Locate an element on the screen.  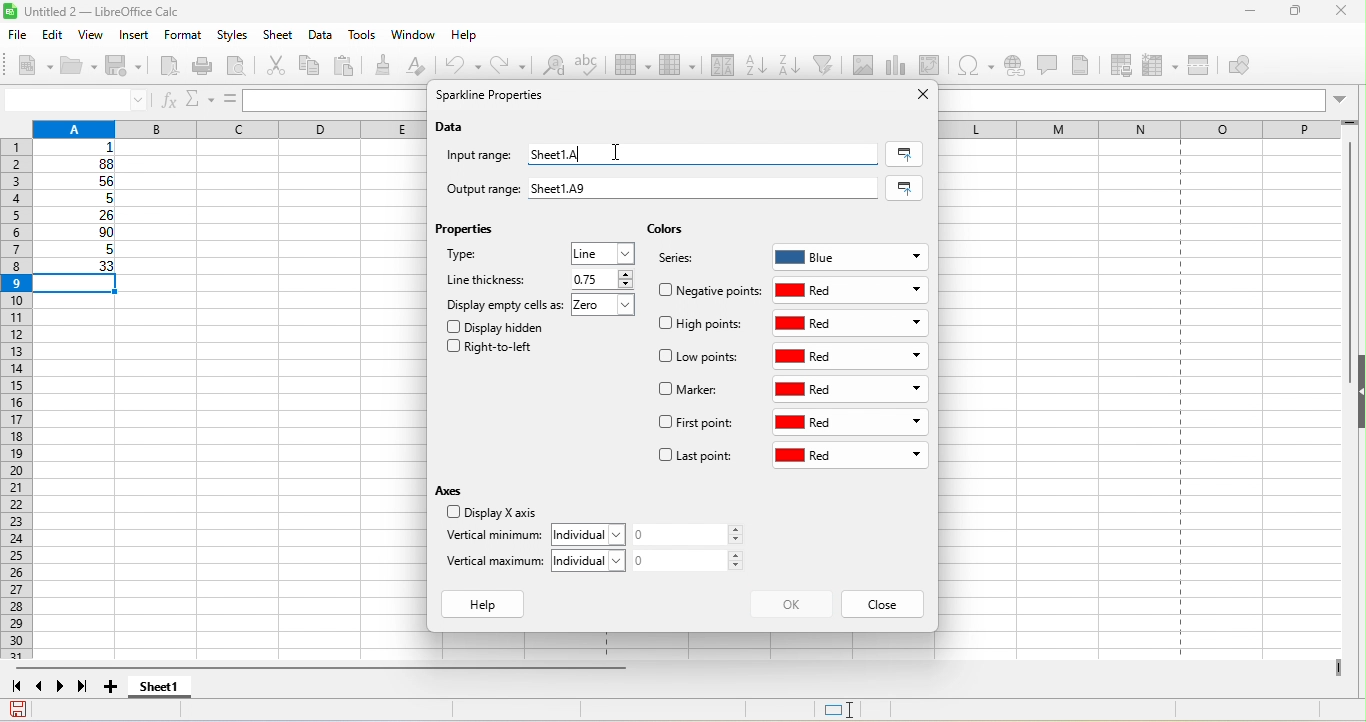
series is located at coordinates (686, 261).